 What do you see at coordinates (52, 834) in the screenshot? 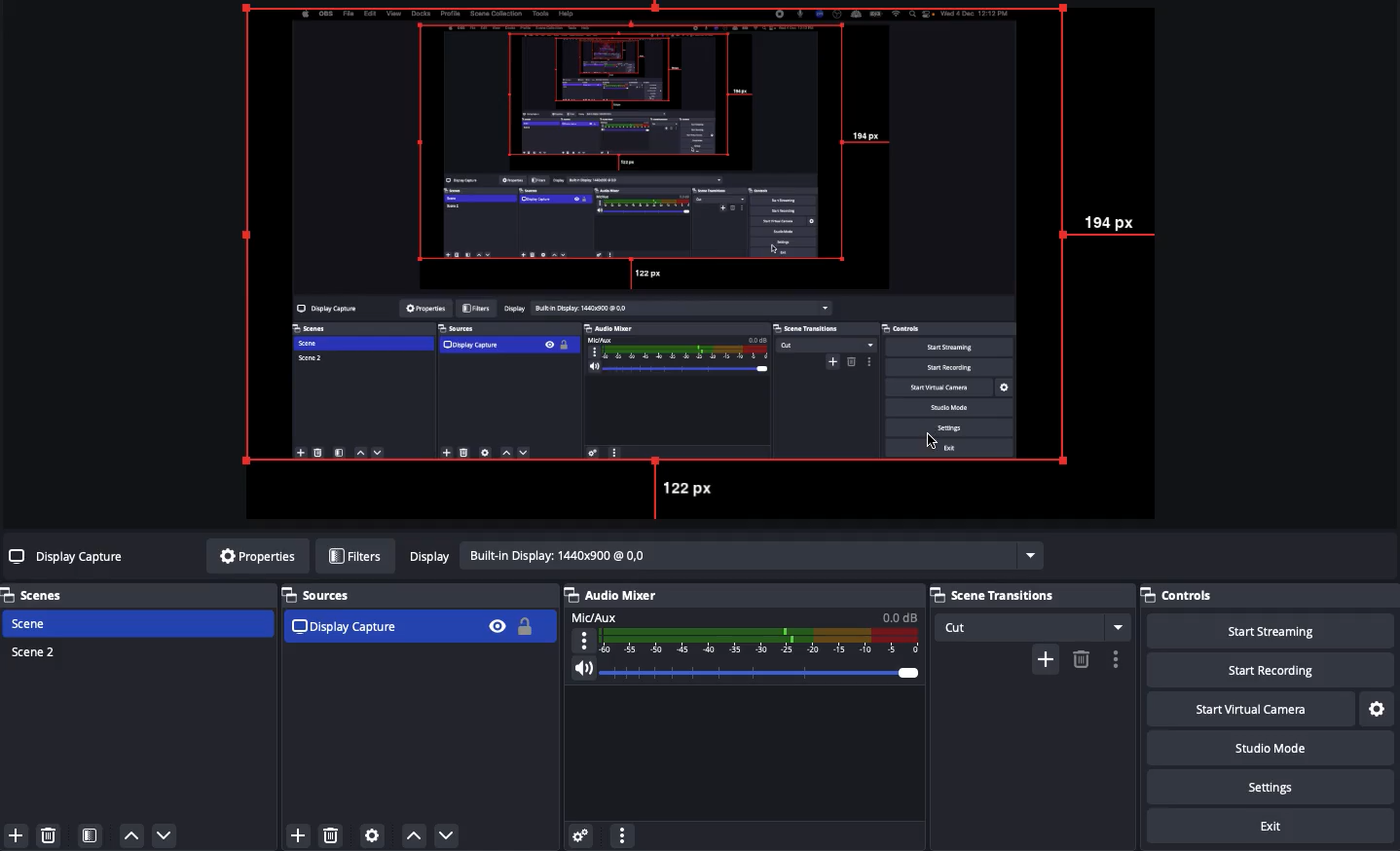
I see `Delete` at bounding box center [52, 834].